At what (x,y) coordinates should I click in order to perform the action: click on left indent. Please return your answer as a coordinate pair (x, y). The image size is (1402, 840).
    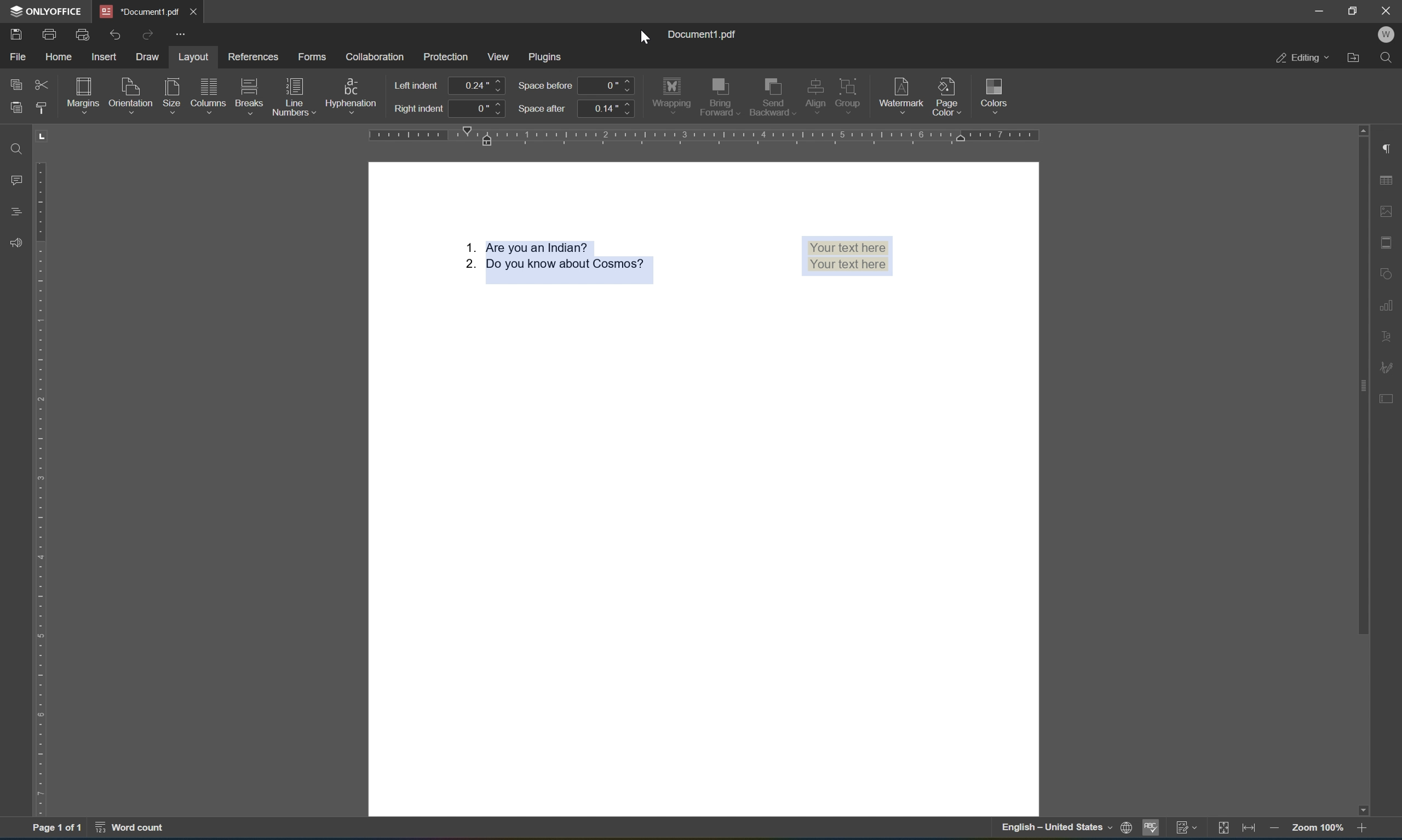
    Looking at the image, I should click on (417, 85).